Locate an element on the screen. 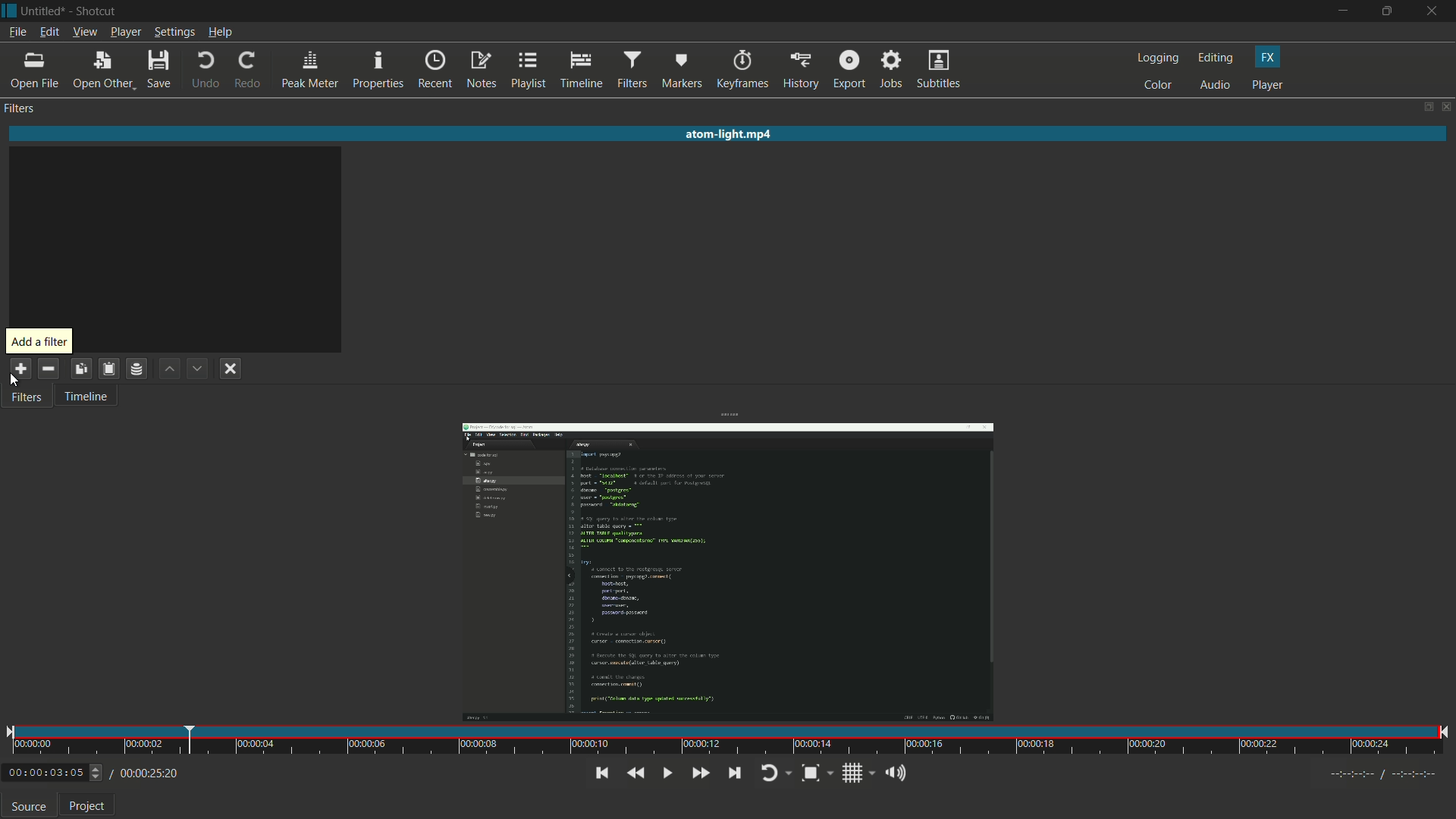 The width and height of the screenshot is (1456, 819). save is located at coordinates (161, 71).